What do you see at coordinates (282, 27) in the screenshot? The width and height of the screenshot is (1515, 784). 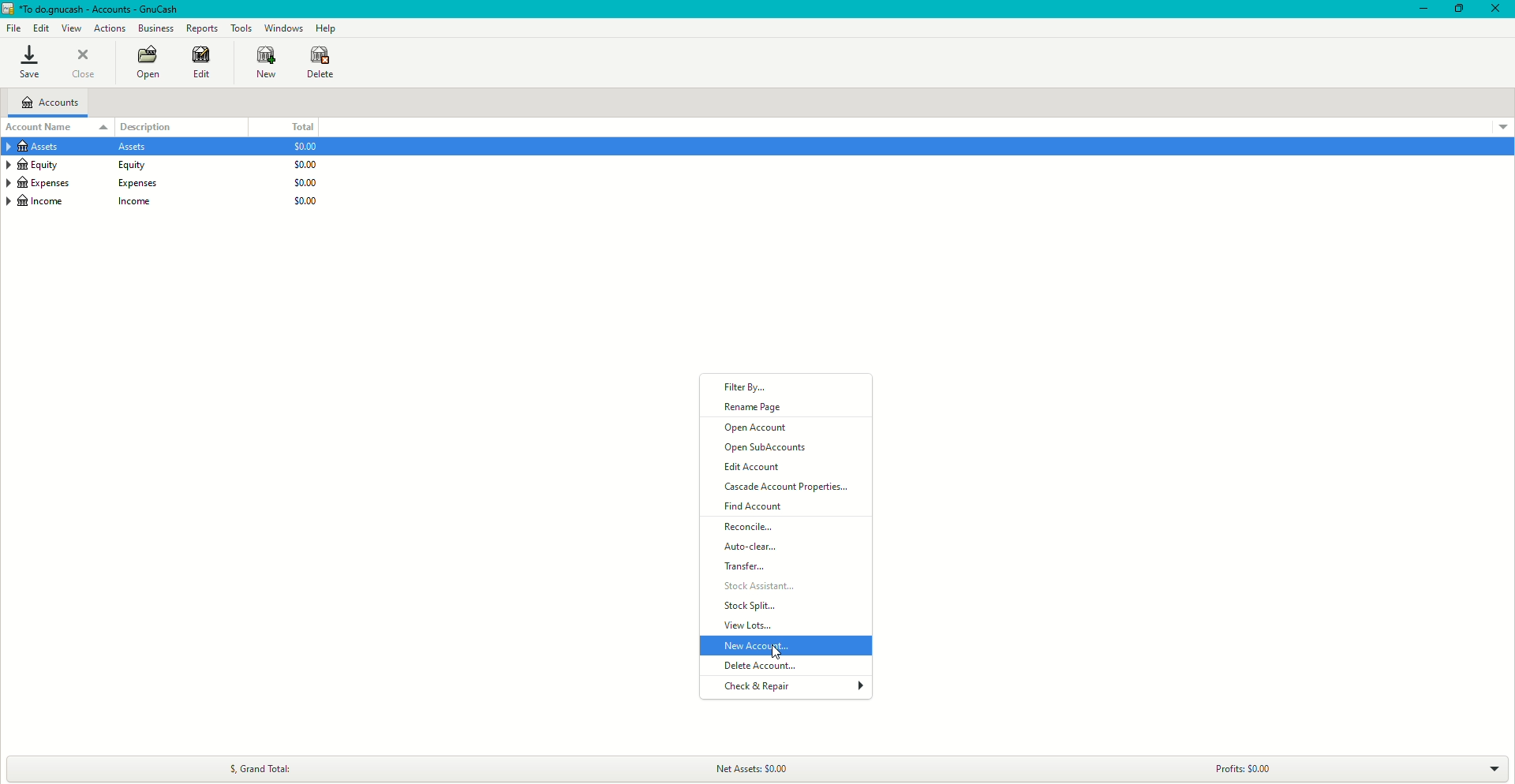 I see `Windows` at bounding box center [282, 27].